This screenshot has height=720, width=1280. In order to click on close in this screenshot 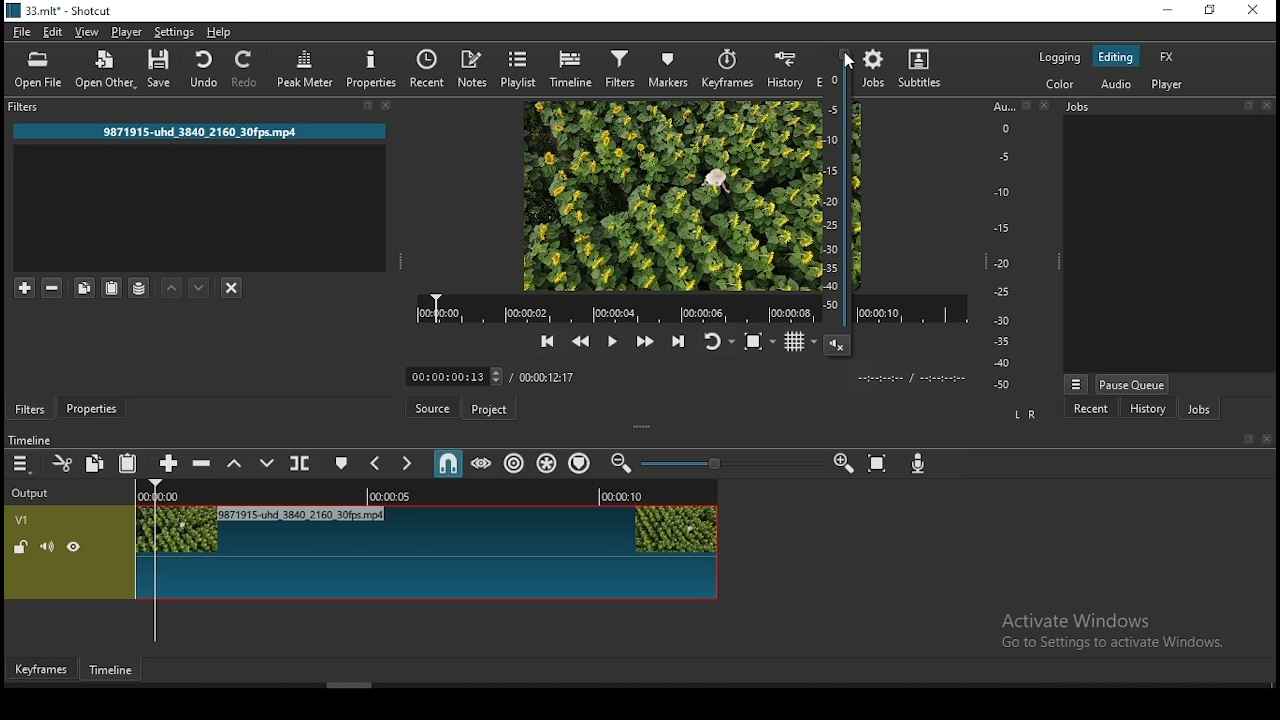, I will do `click(389, 106)`.